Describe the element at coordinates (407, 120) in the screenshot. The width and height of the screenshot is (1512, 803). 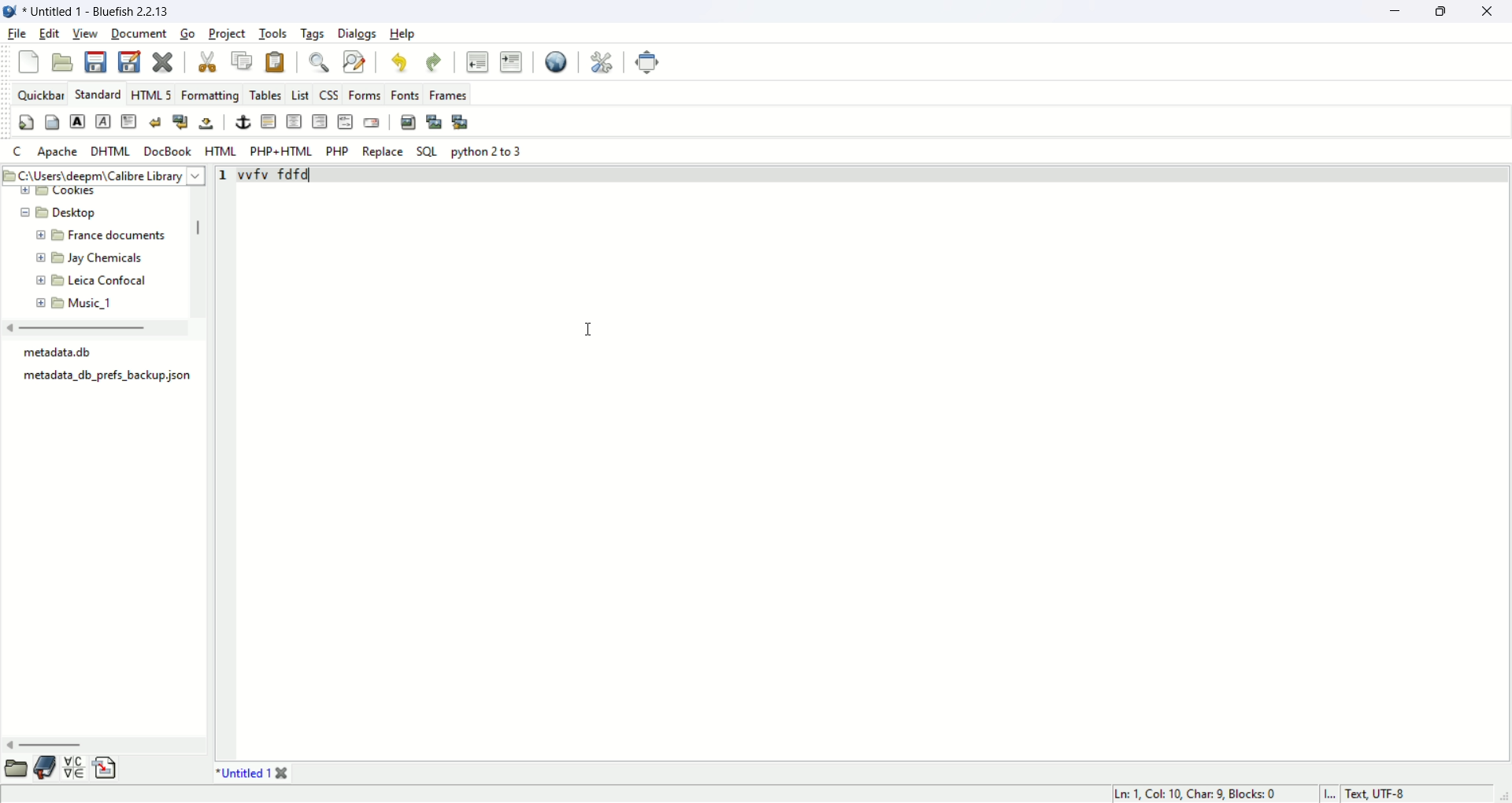
I see `insert image` at that location.